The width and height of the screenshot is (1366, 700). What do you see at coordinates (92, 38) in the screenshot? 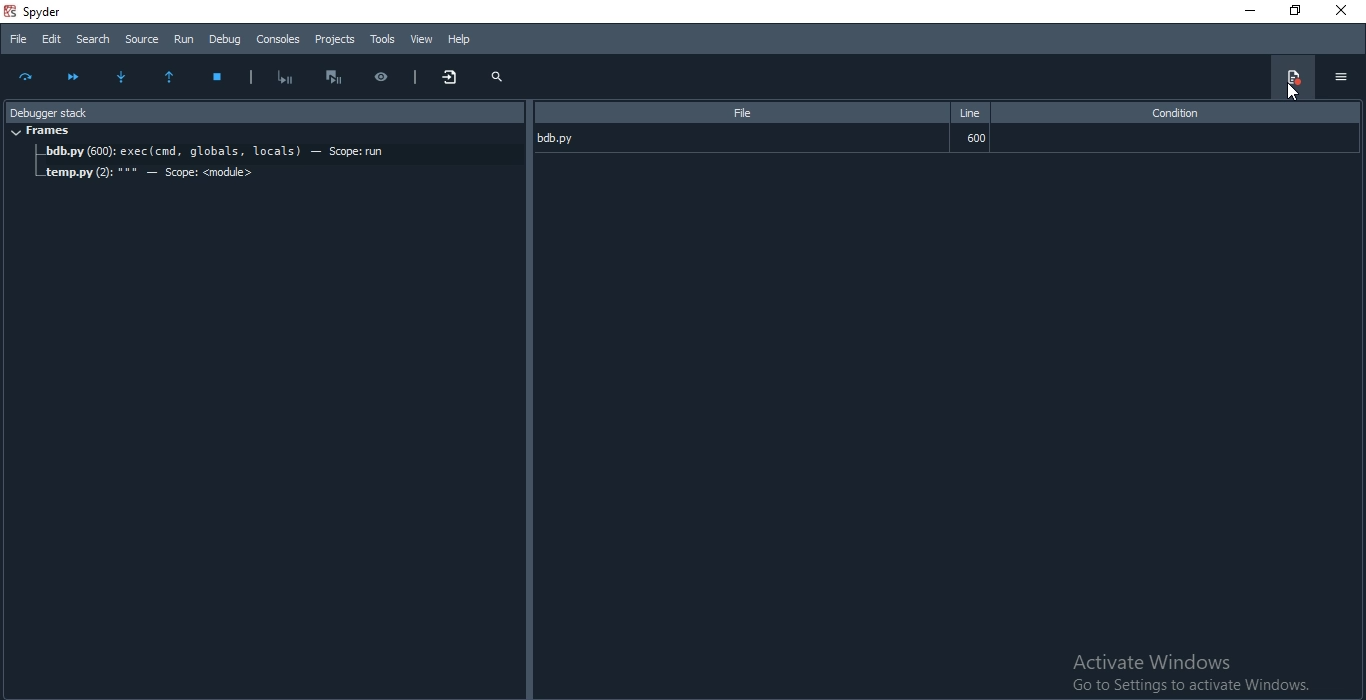
I see `Search` at bounding box center [92, 38].